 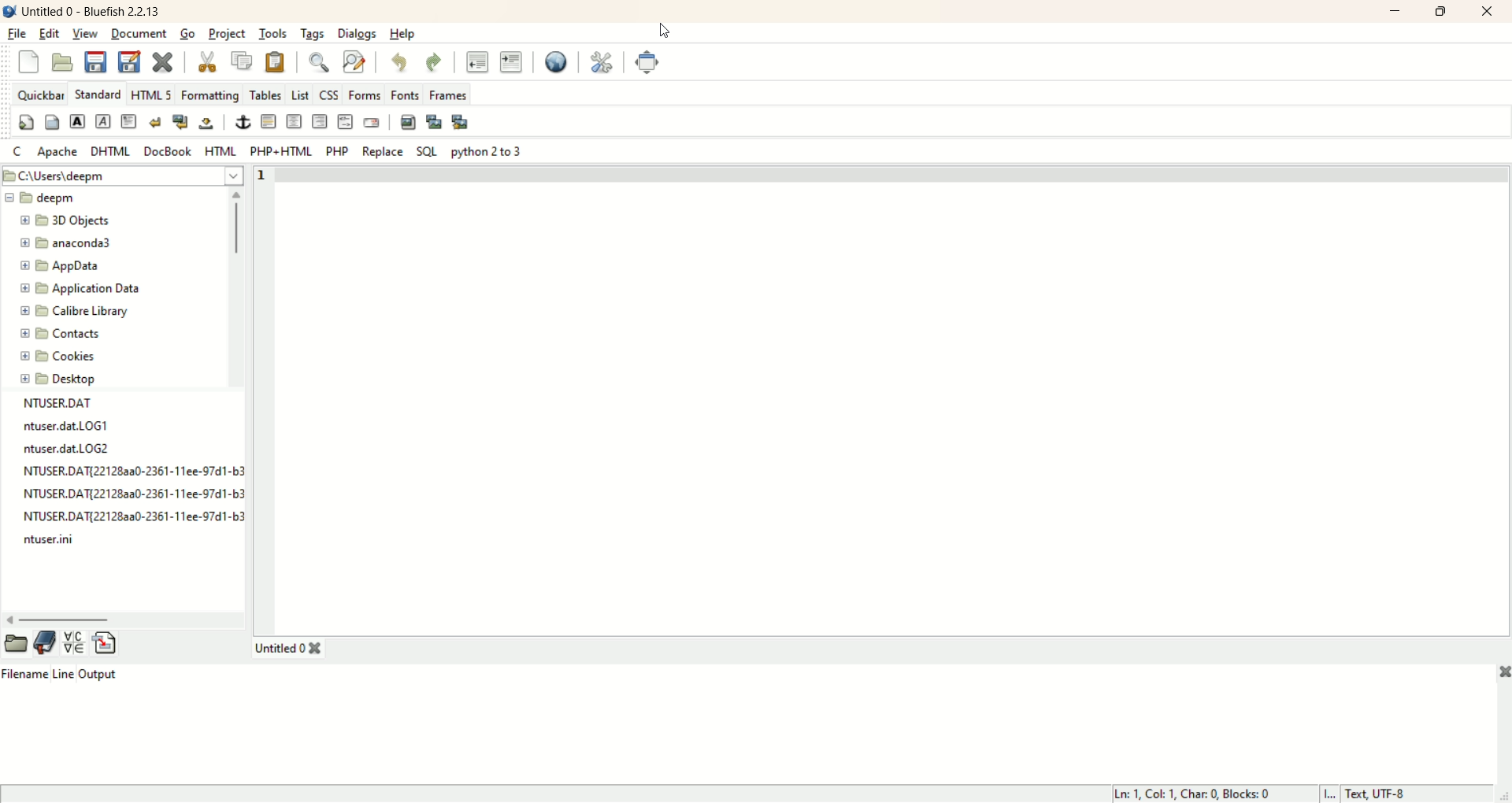 What do you see at coordinates (277, 61) in the screenshot?
I see `paste` at bounding box center [277, 61].